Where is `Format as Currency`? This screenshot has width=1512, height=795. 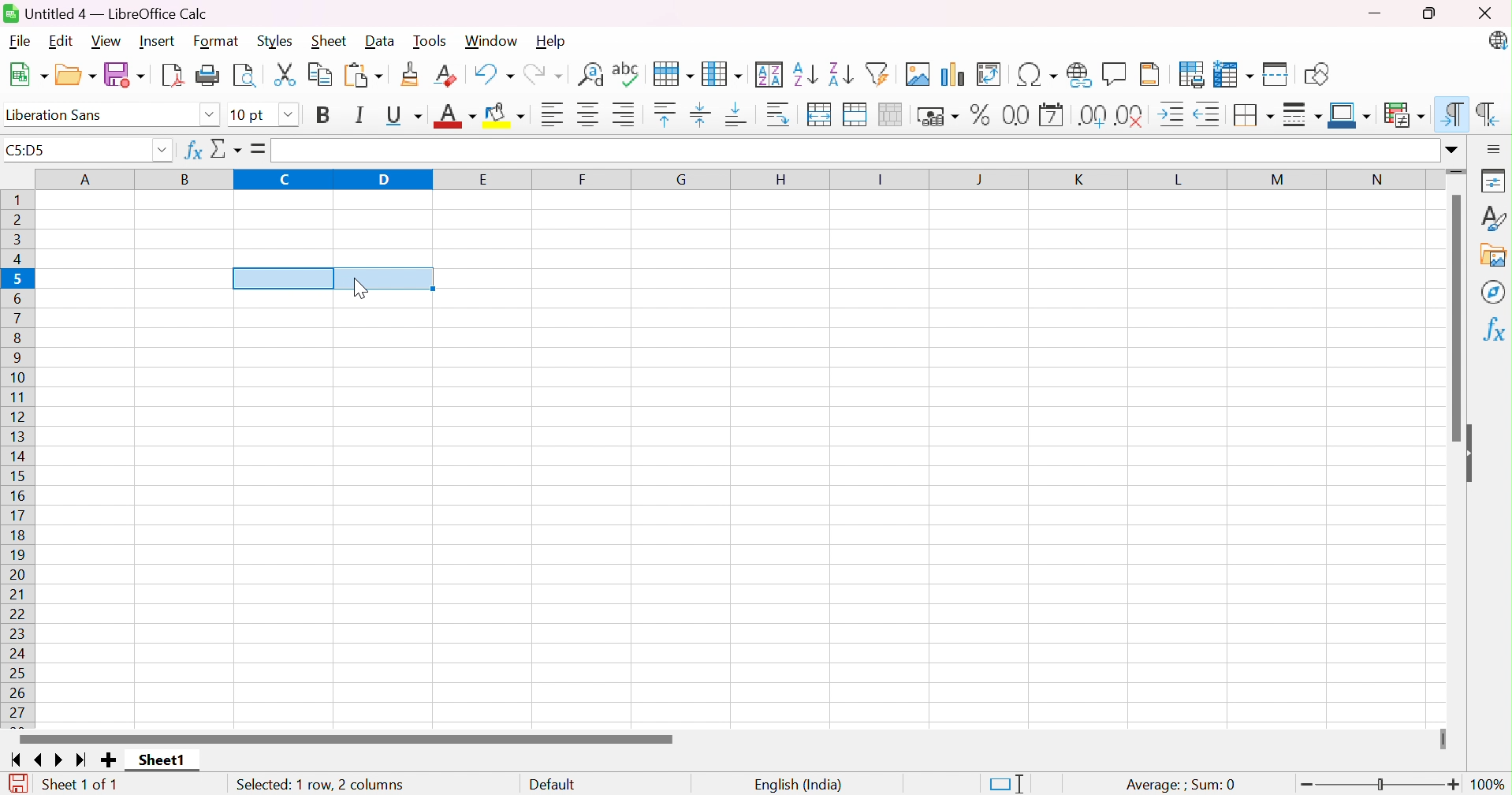
Format as Currency is located at coordinates (937, 117).